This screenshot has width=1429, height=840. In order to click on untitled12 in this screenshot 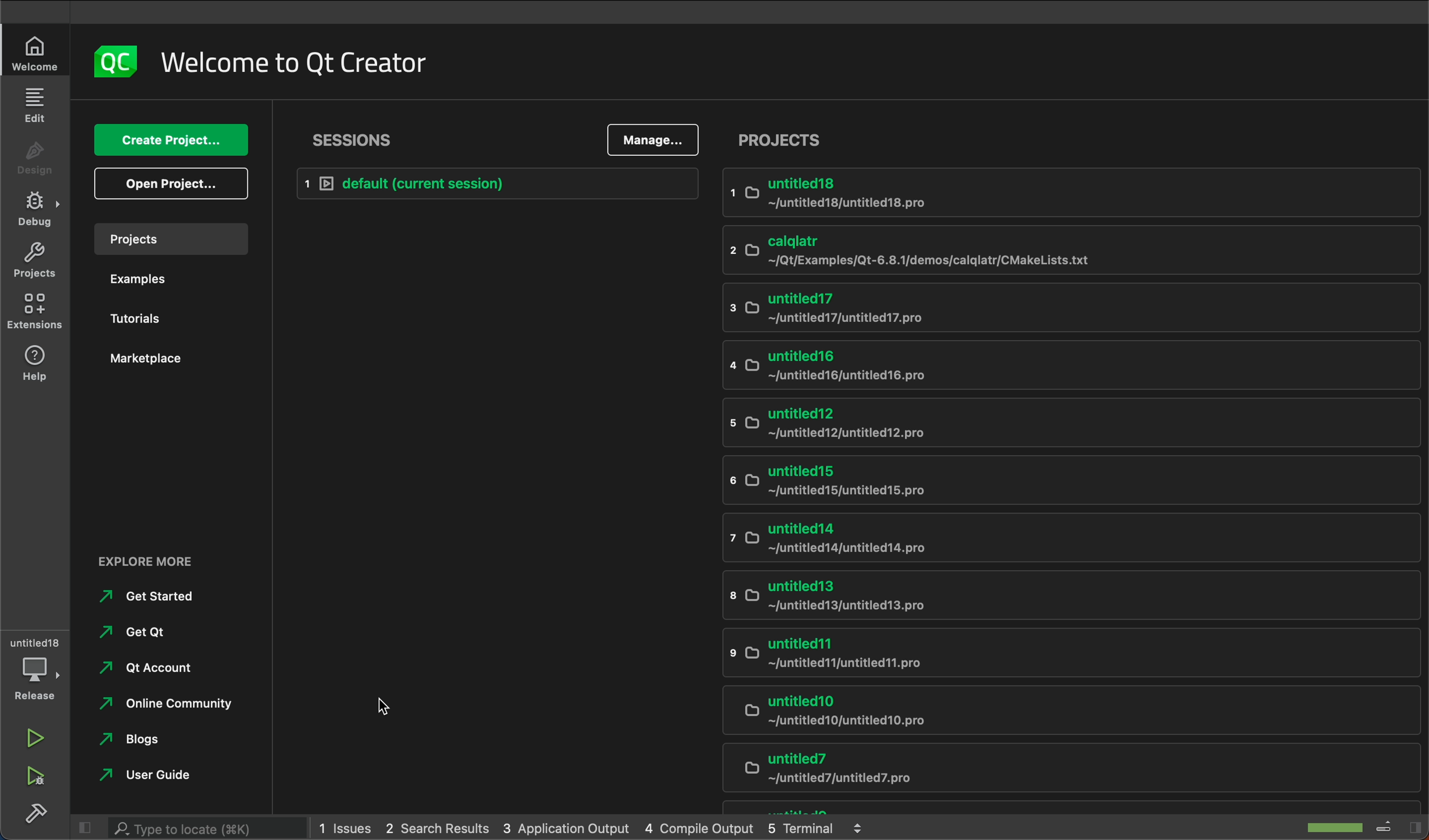, I will do `click(1017, 422)`.